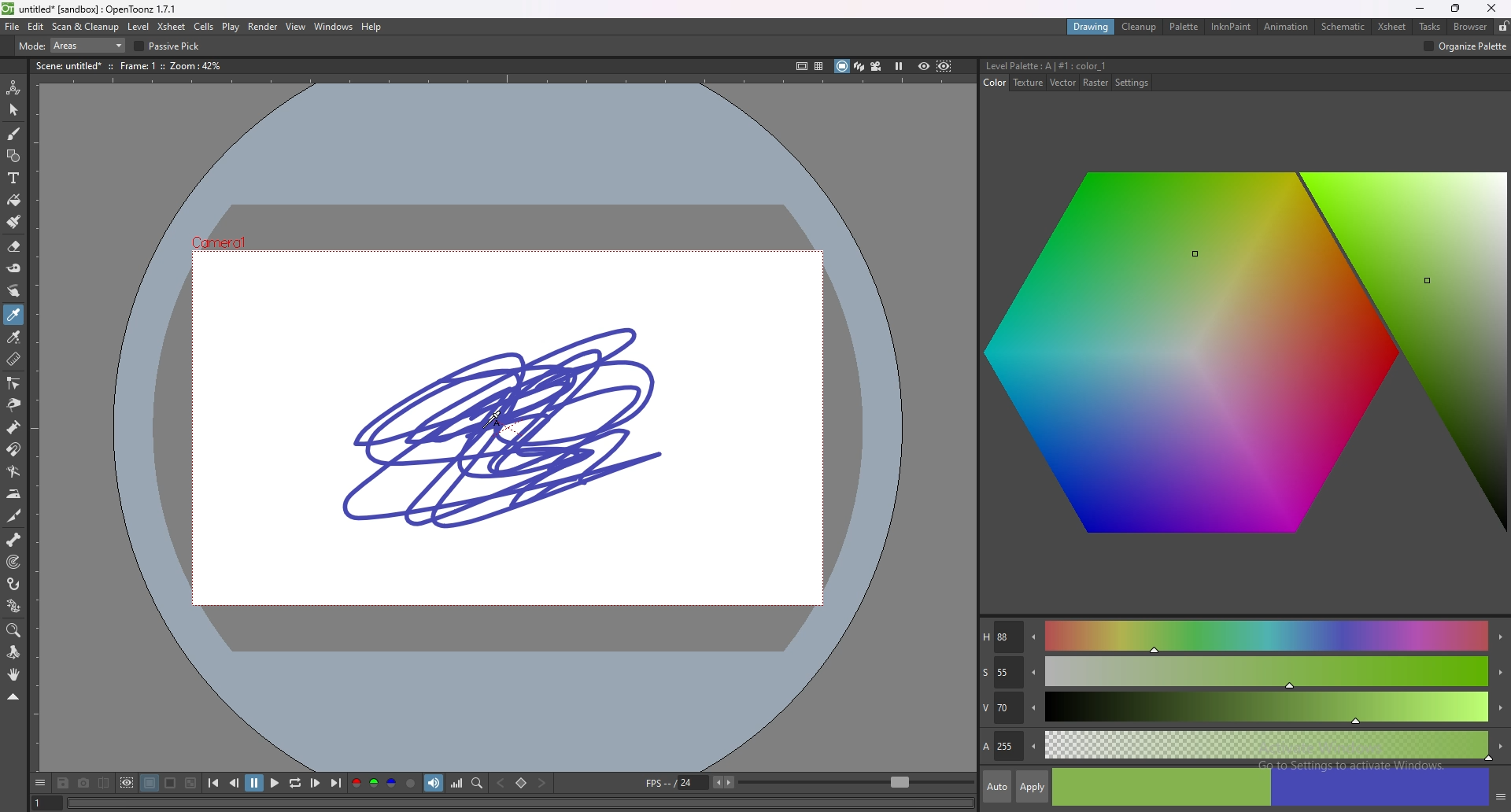 The image size is (1511, 812). Describe the element at coordinates (960, 46) in the screenshot. I see `x` at that location.